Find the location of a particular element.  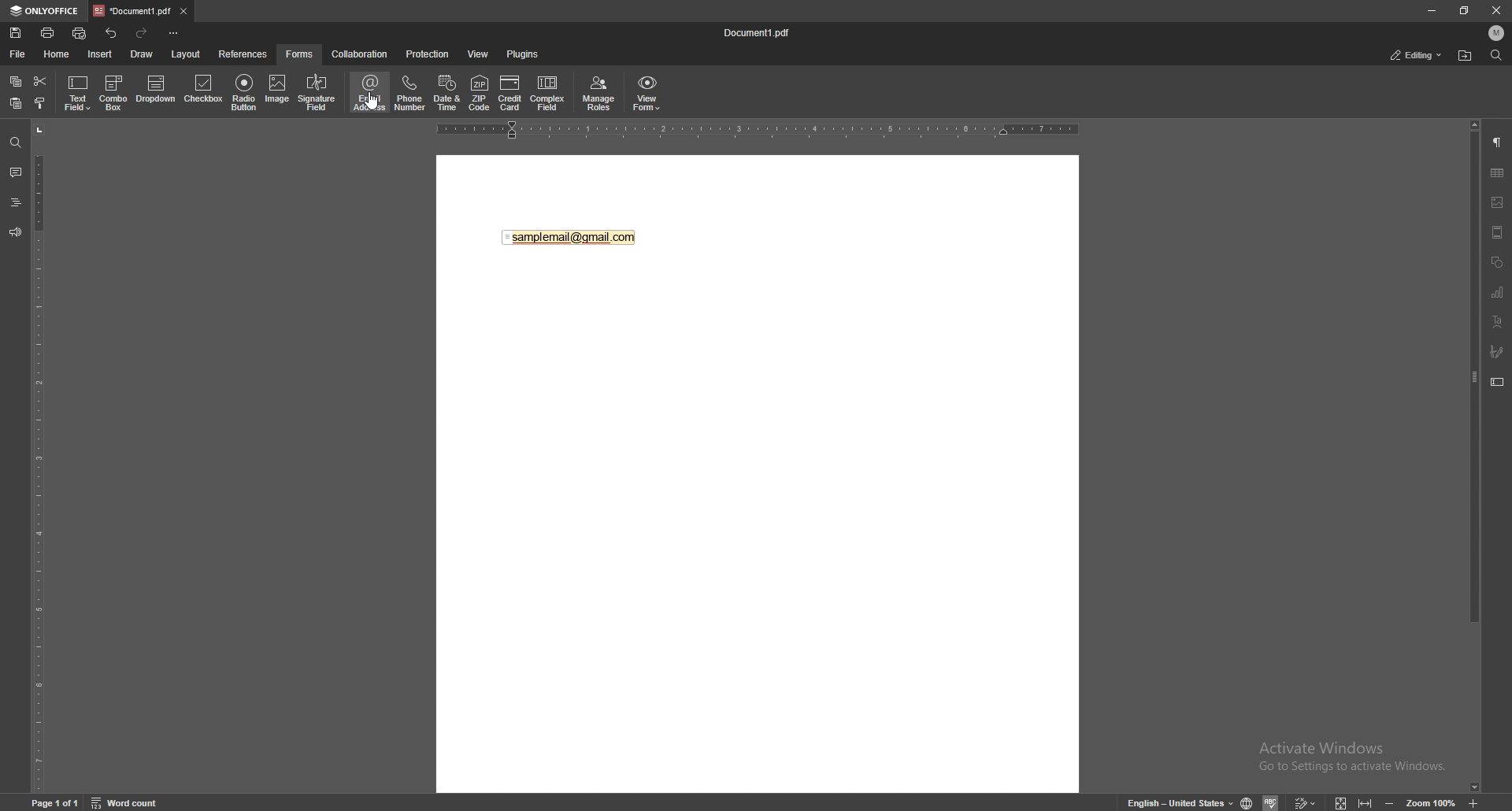

customize toolbar is located at coordinates (174, 34).